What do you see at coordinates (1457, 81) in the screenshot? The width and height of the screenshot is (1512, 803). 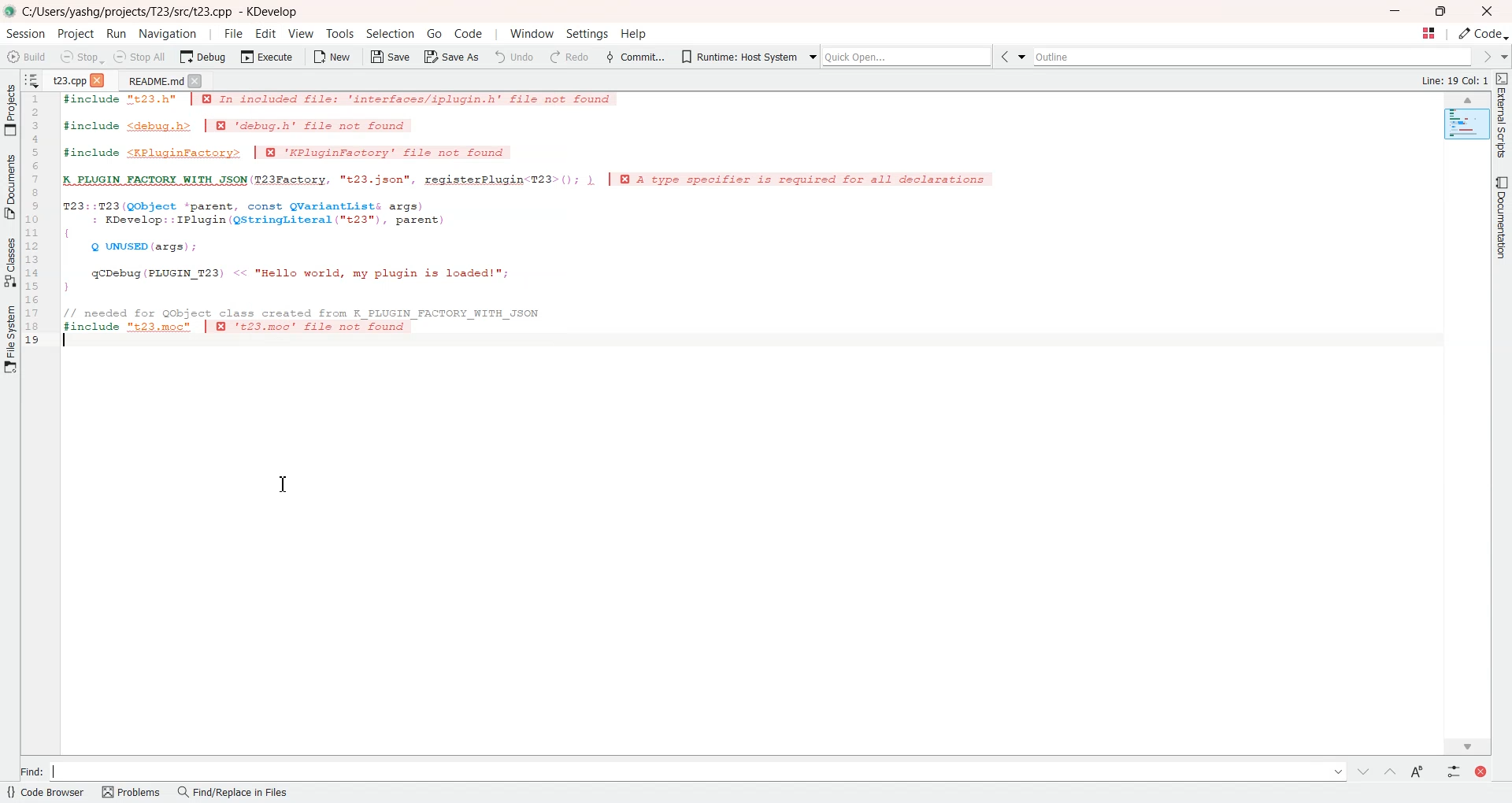 I see `Line: 19 Col 1` at bounding box center [1457, 81].